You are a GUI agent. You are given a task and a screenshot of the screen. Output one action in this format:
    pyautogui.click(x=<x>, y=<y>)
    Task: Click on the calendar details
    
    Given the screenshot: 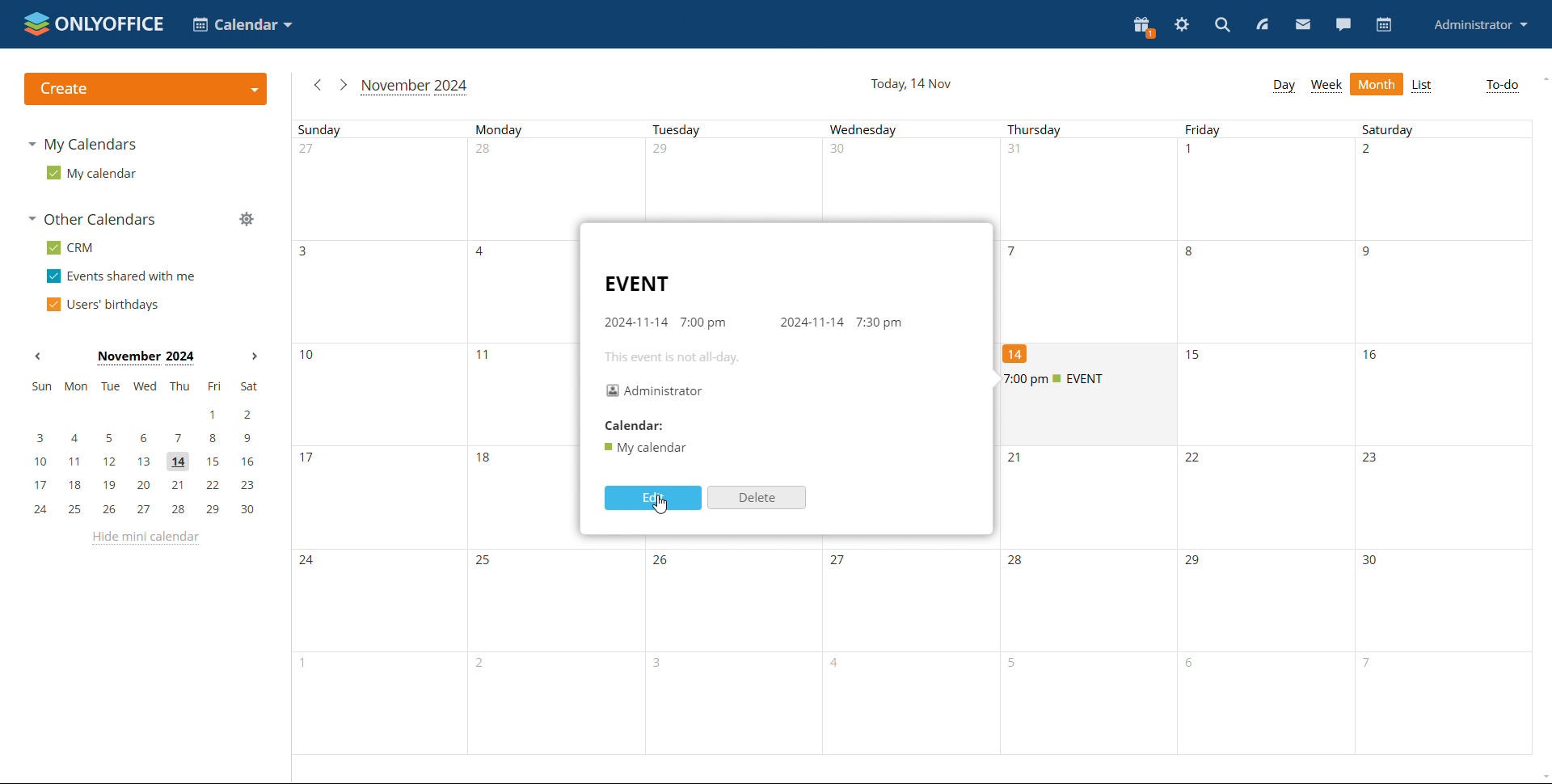 What is the action you would take?
    pyautogui.click(x=647, y=448)
    